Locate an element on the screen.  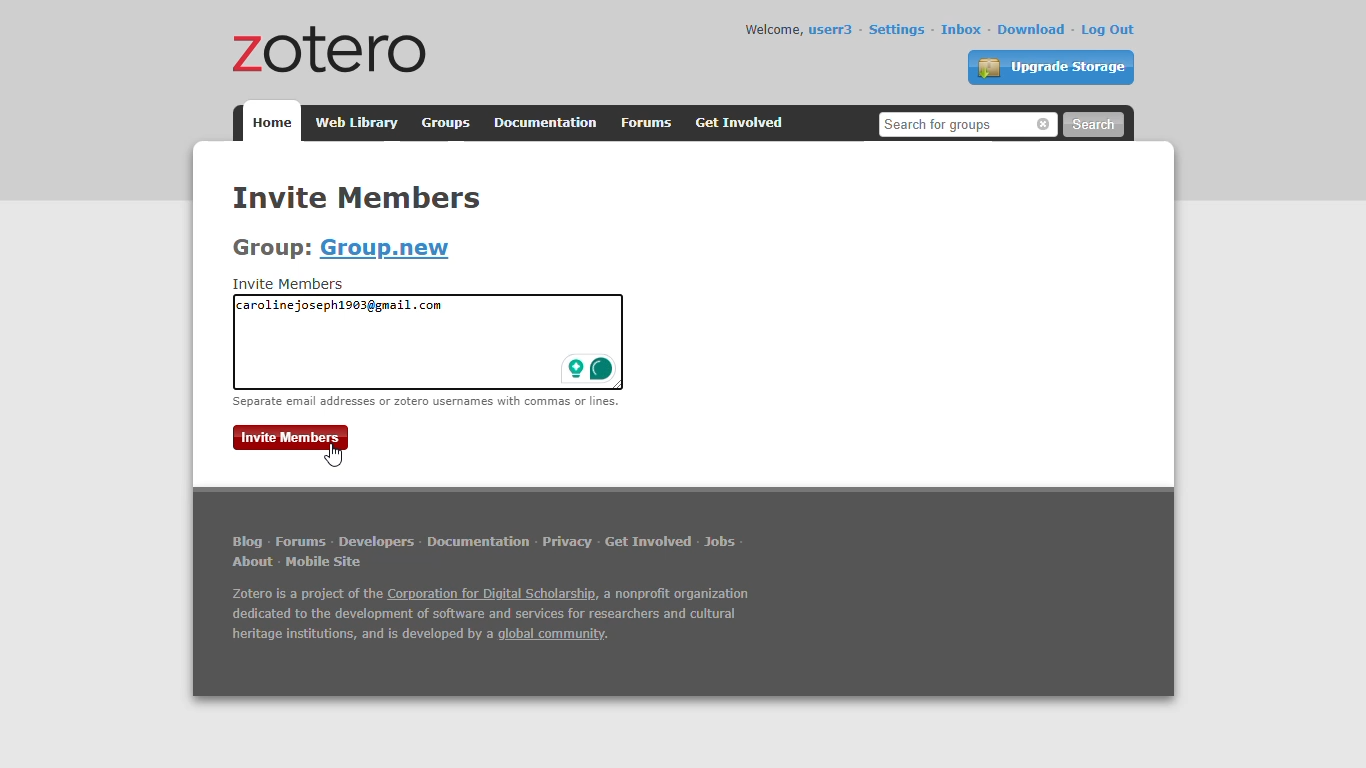
settings is located at coordinates (896, 29).